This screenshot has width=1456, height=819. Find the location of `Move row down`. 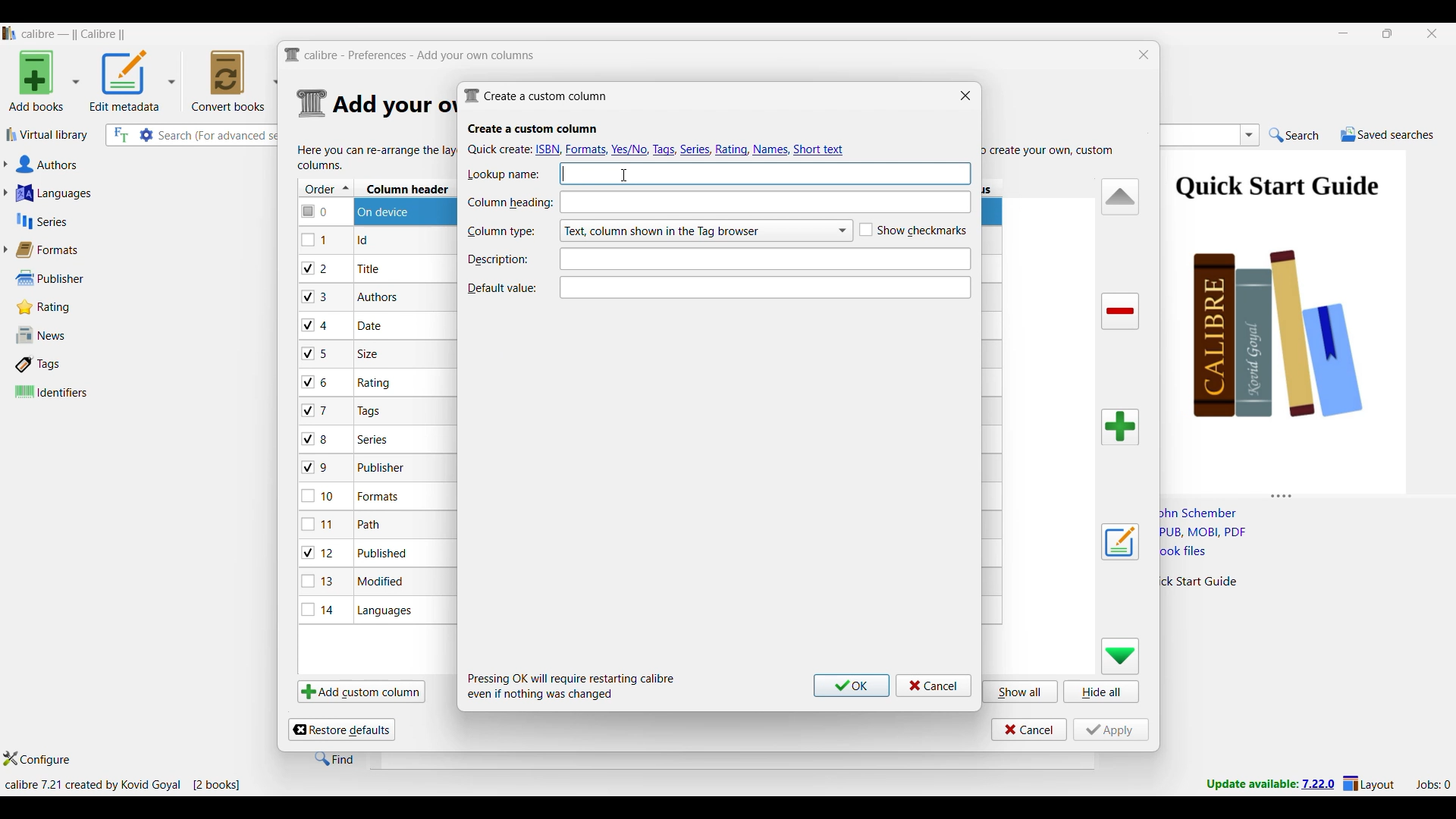

Move row down is located at coordinates (1121, 656).